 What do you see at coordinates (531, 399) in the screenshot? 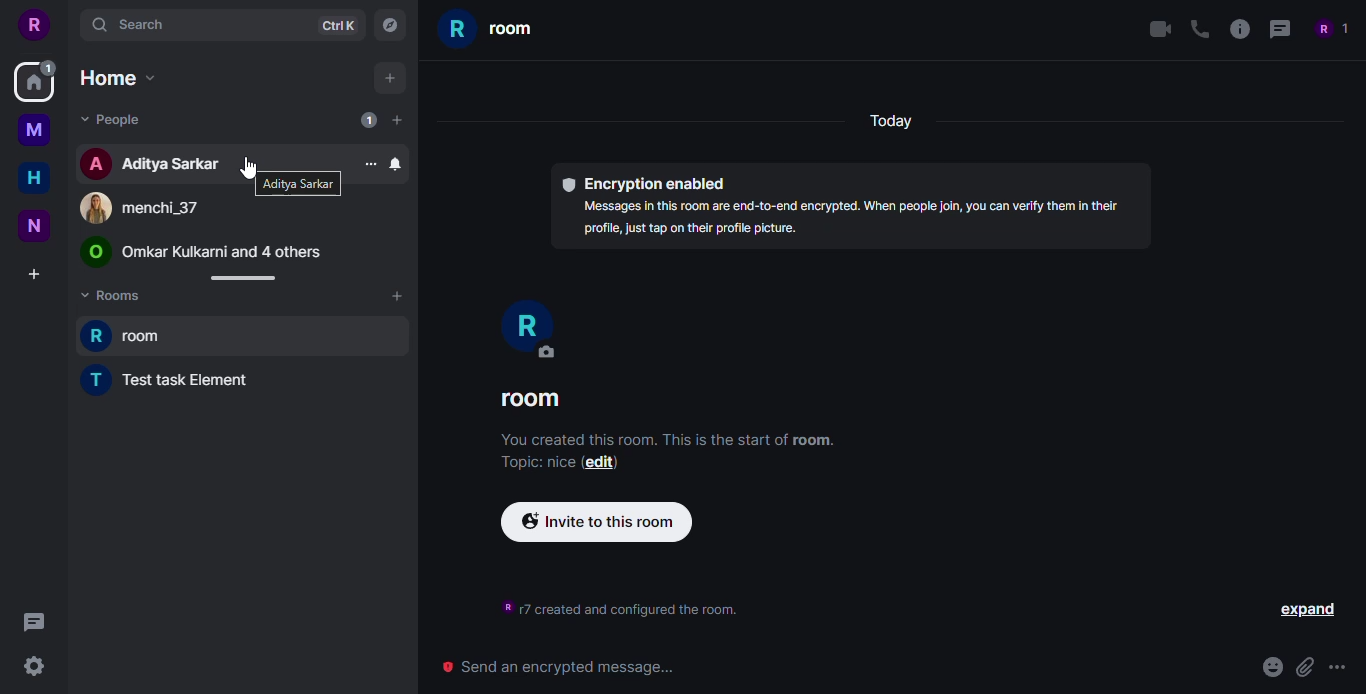
I see `room` at bounding box center [531, 399].